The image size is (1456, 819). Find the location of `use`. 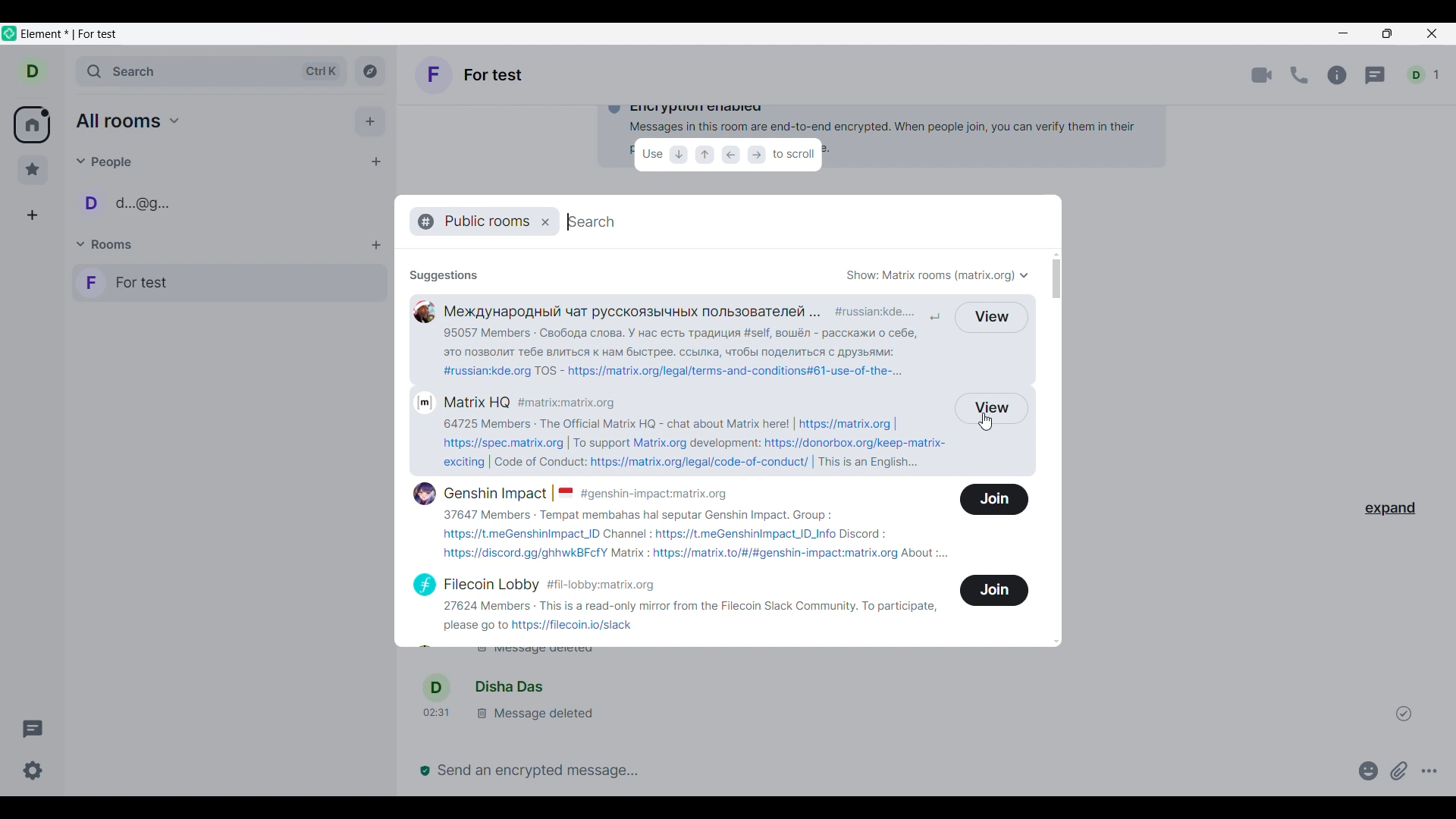

use is located at coordinates (652, 154).